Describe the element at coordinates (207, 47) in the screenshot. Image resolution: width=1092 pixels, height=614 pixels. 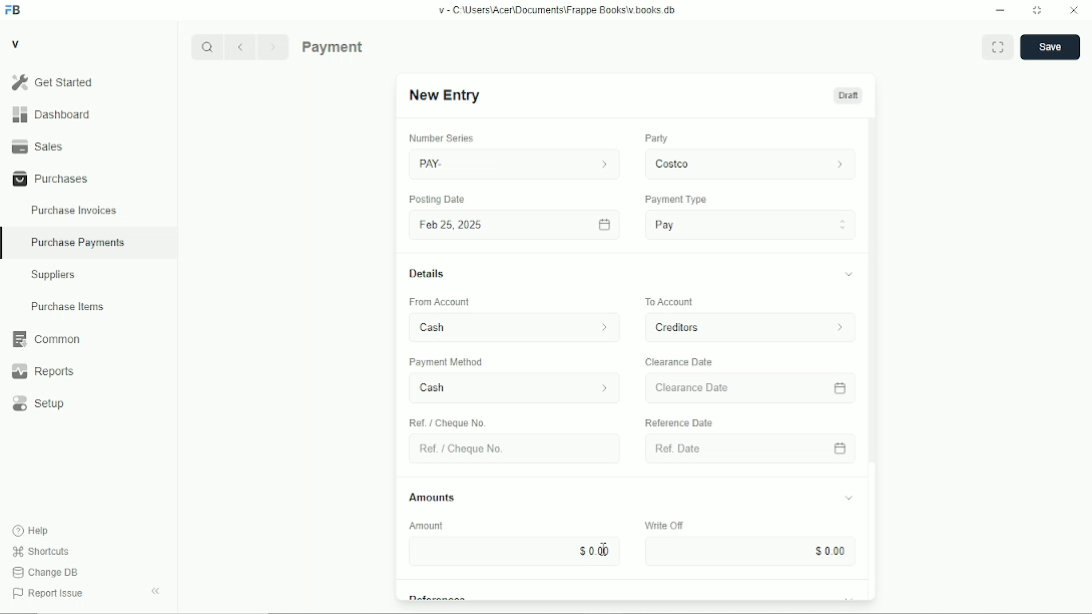
I see `Search` at that location.